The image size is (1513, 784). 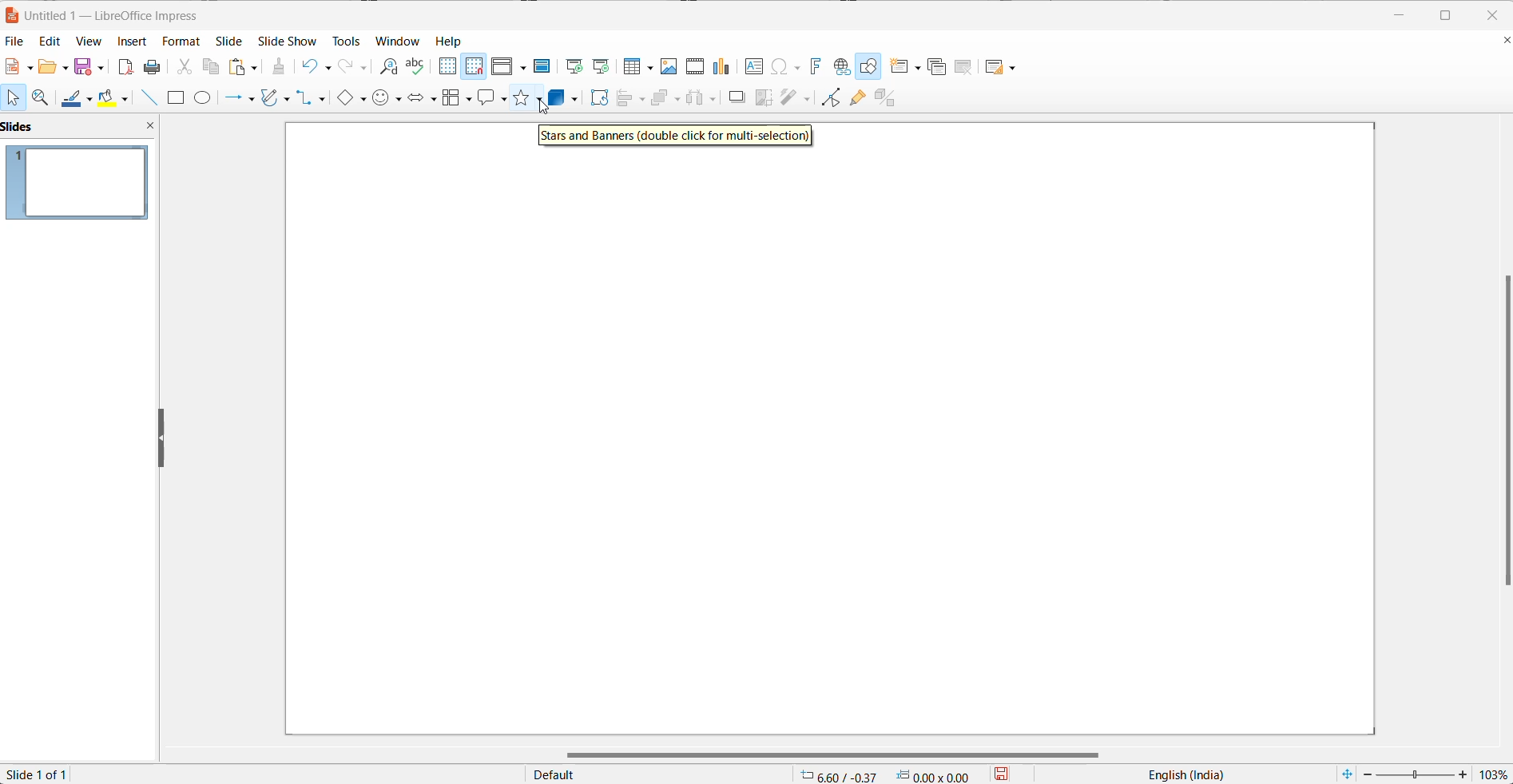 What do you see at coordinates (387, 68) in the screenshot?
I see `find and replace` at bounding box center [387, 68].